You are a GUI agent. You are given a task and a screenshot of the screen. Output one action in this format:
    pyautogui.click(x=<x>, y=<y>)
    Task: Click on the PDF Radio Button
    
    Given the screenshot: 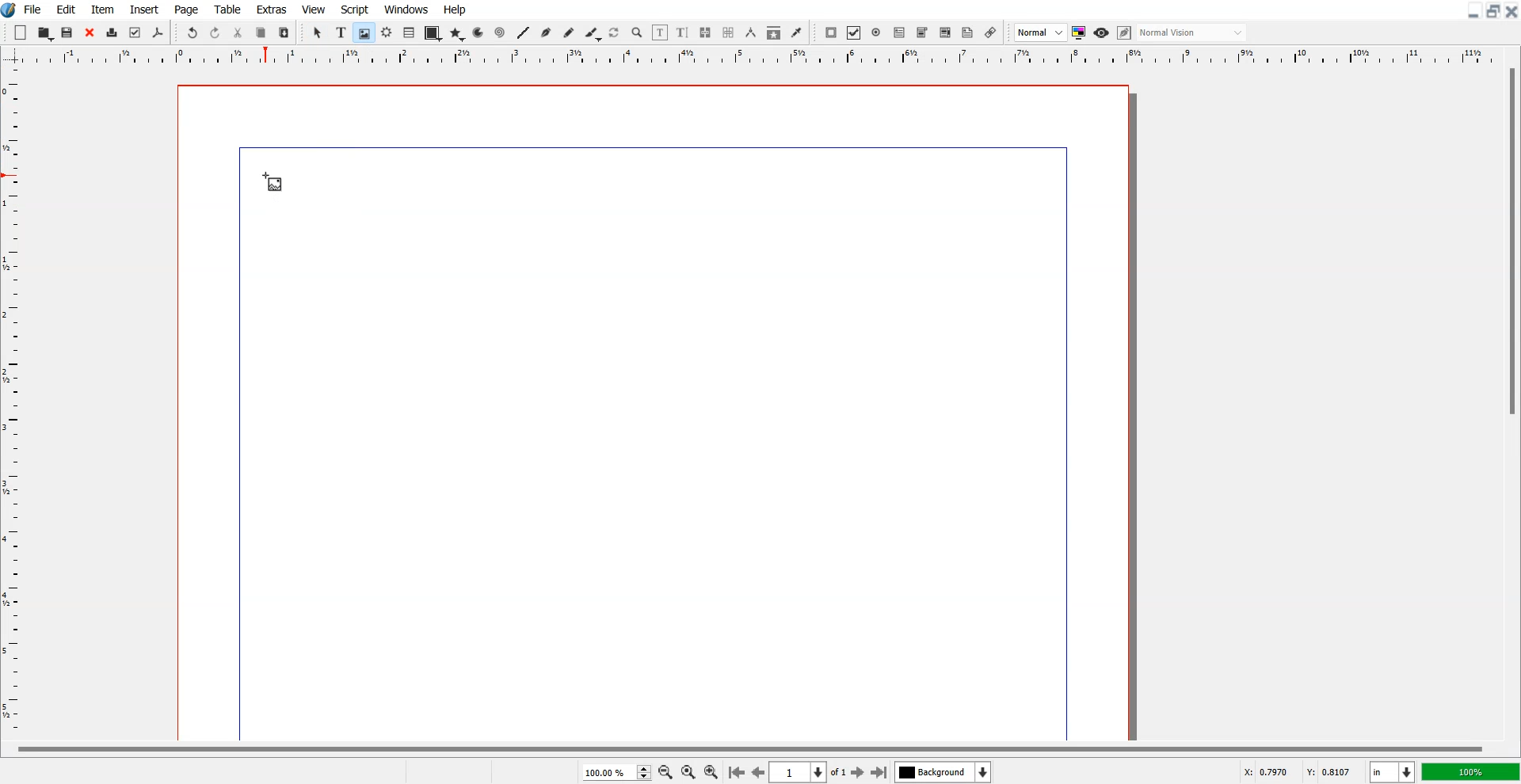 What is the action you would take?
    pyautogui.click(x=876, y=32)
    